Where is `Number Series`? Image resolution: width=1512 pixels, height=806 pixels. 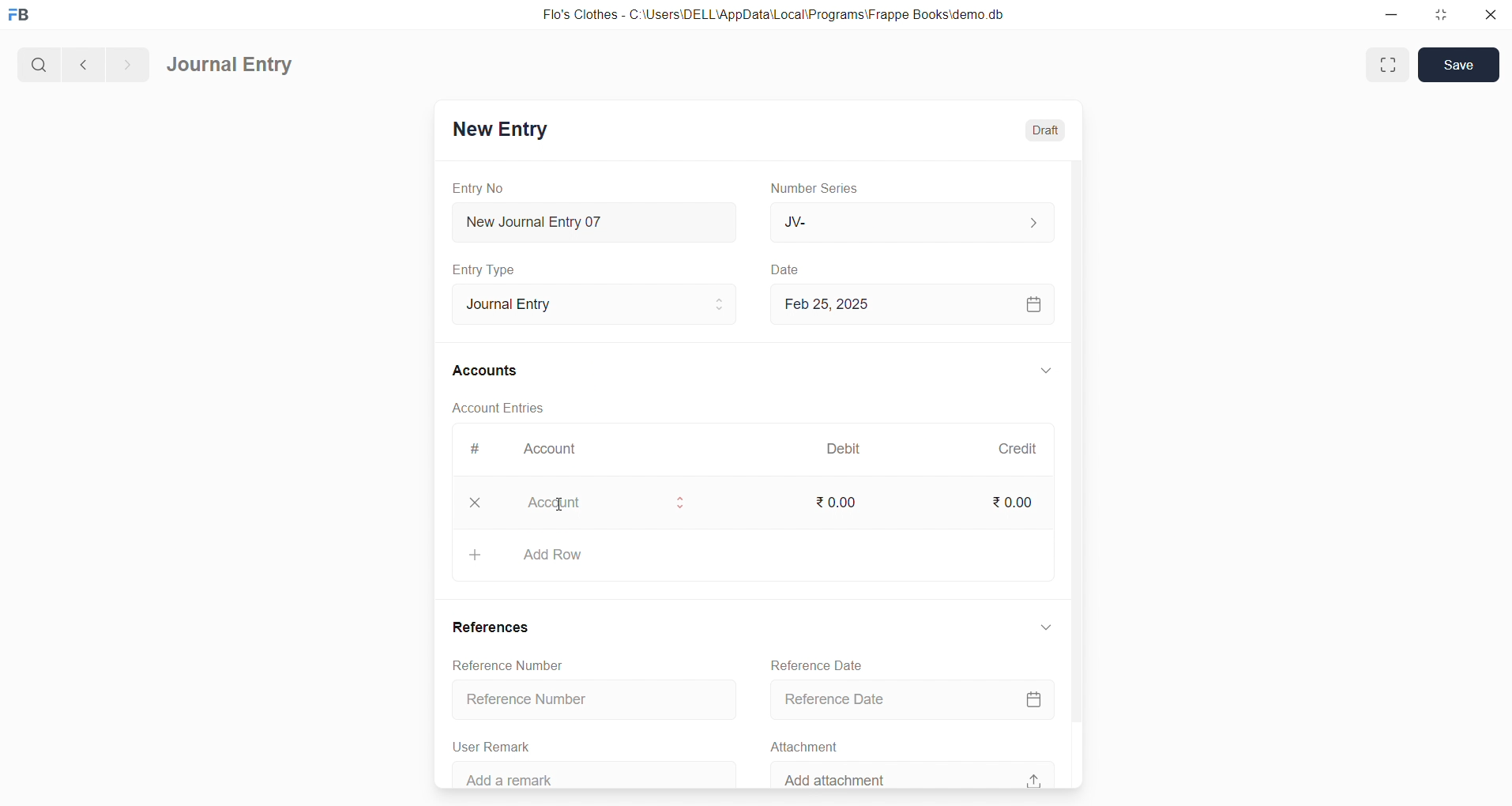
Number Series is located at coordinates (819, 189).